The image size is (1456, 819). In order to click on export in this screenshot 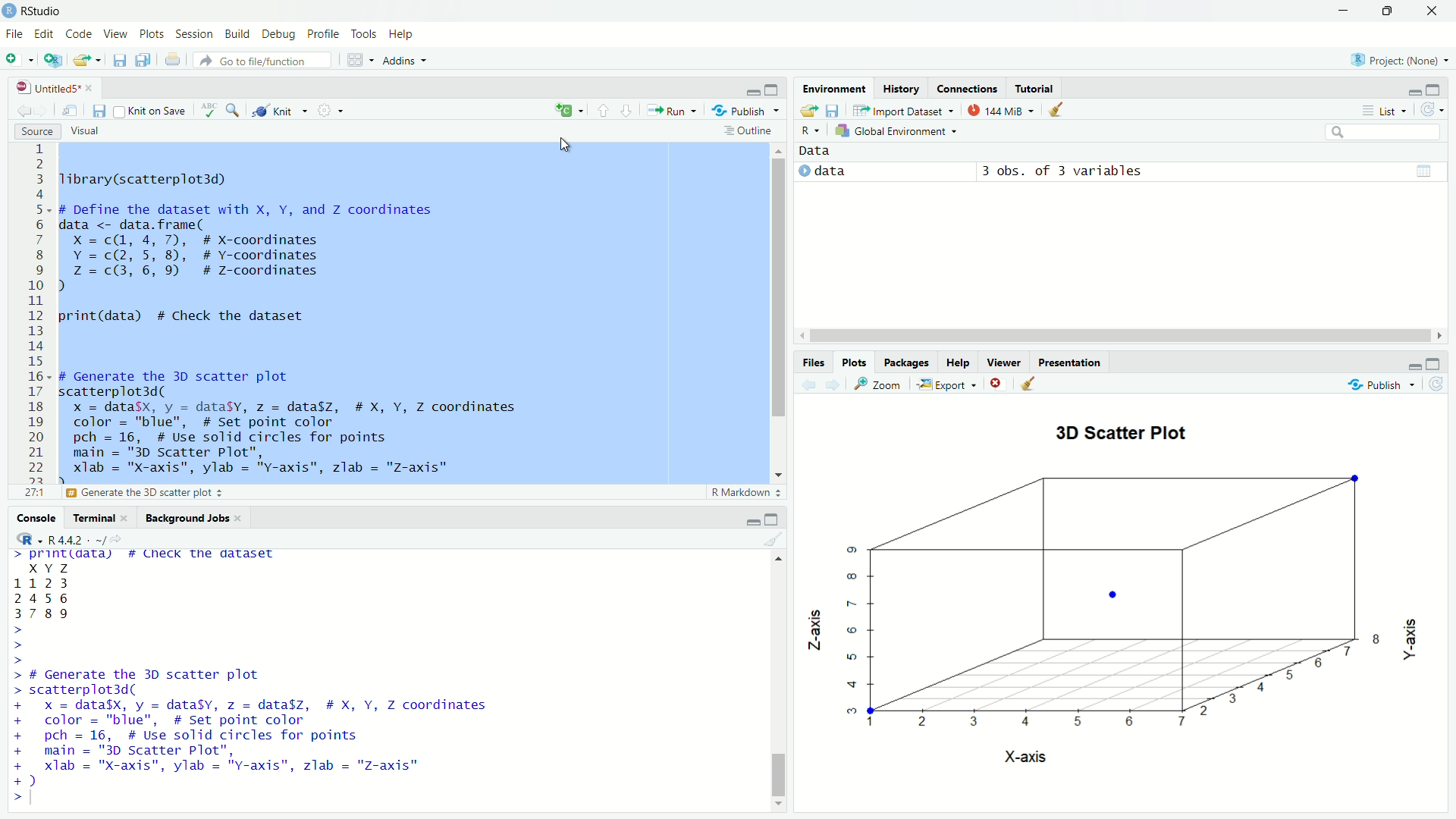, I will do `click(946, 383)`.